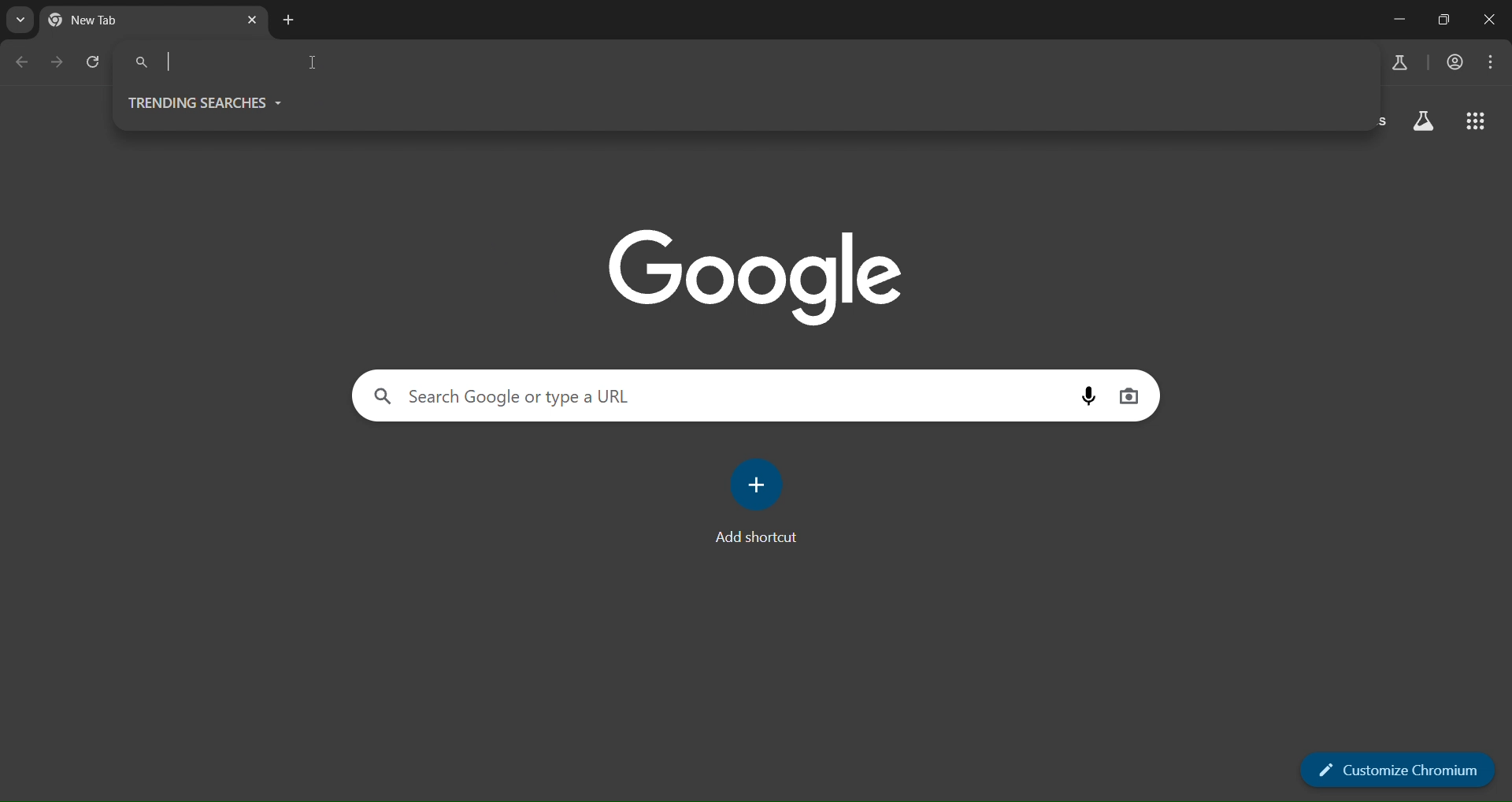 The image size is (1512, 802). I want to click on search labs, so click(1405, 64).